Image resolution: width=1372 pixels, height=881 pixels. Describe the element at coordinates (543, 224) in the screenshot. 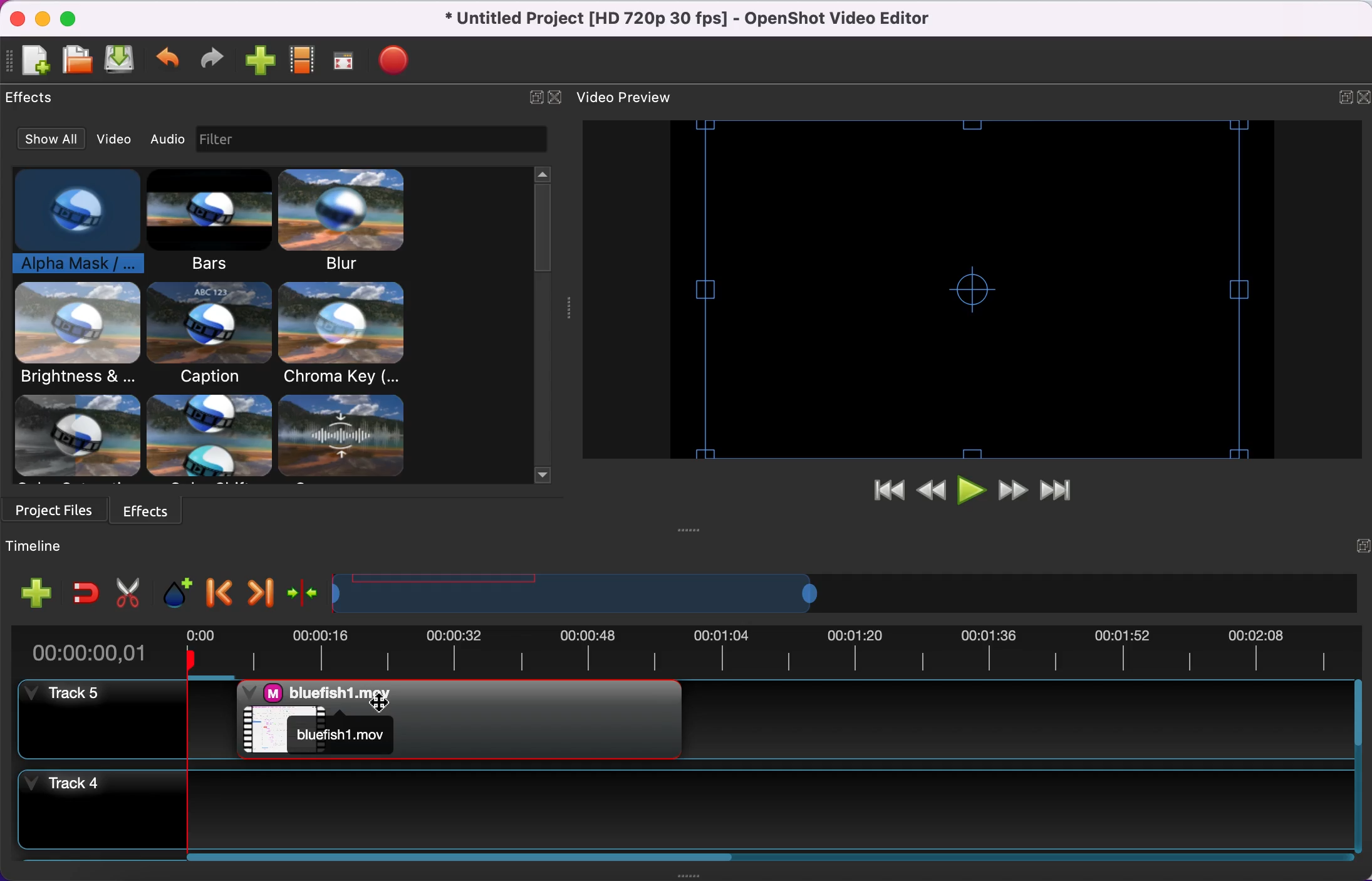

I see `vertical slider` at that location.